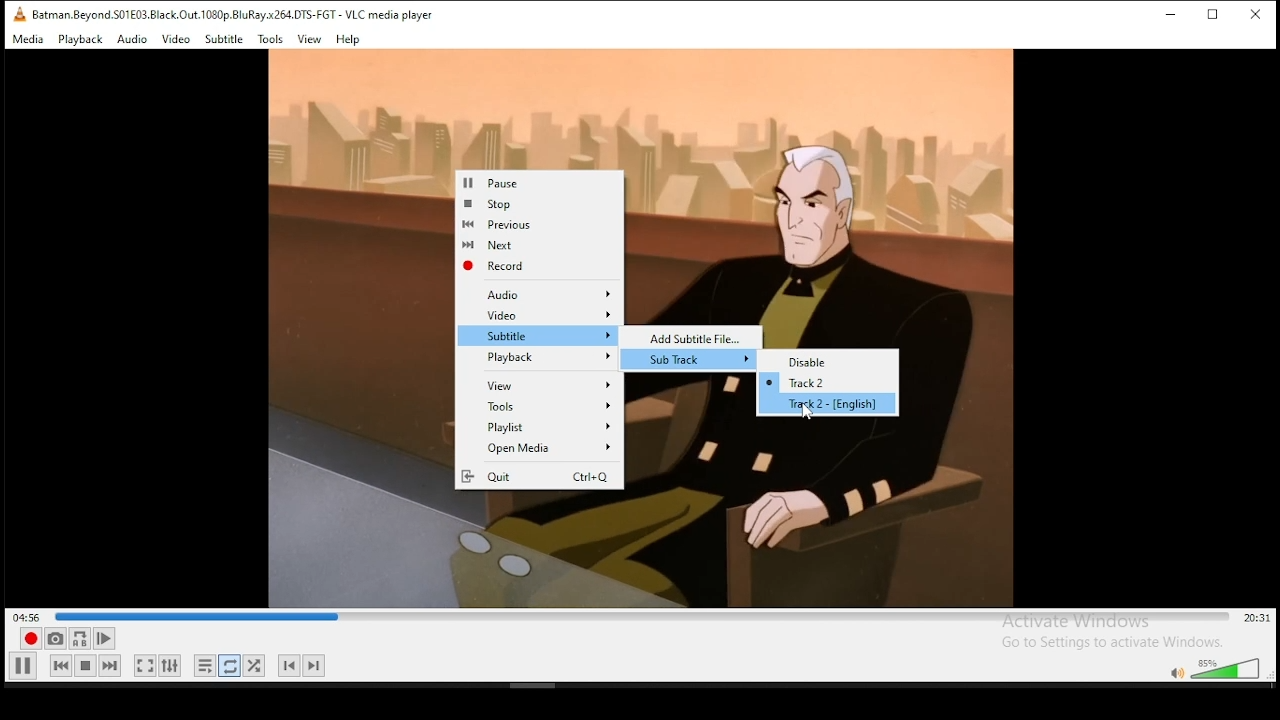  Describe the element at coordinates (1255, 15) in the screenshot. I see `close` at that location.